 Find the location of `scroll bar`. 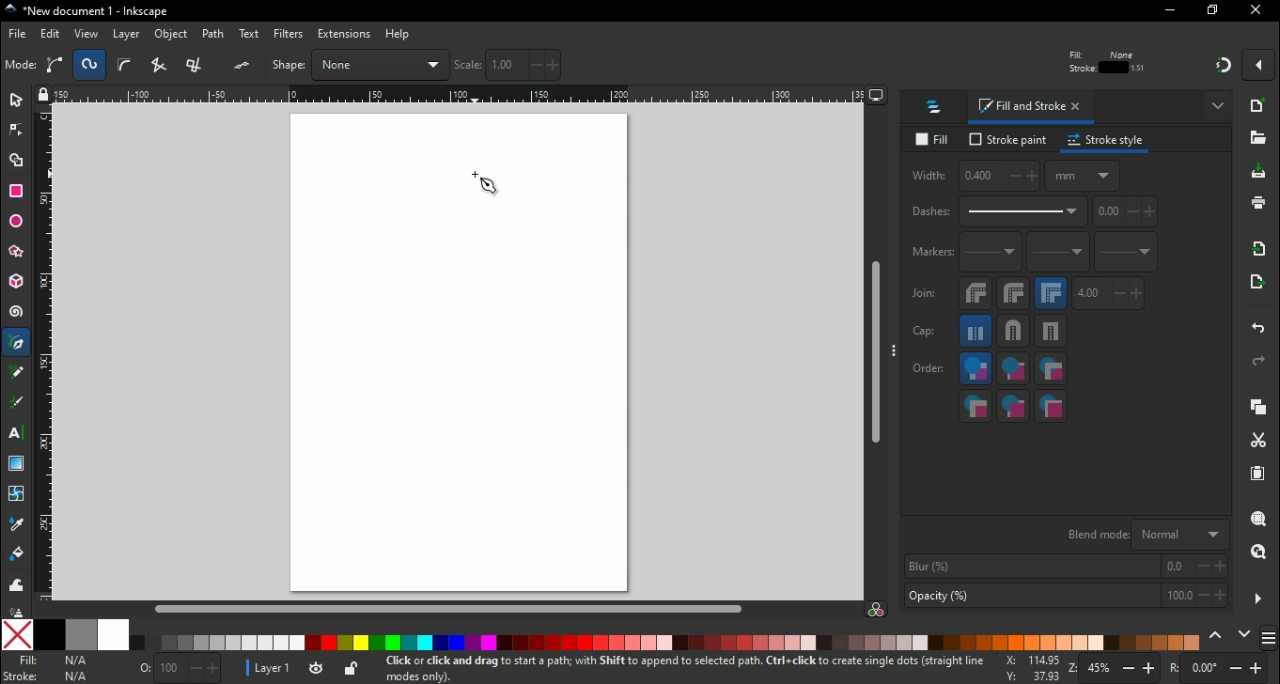

scroll bar is located at coordinates (448, 607).